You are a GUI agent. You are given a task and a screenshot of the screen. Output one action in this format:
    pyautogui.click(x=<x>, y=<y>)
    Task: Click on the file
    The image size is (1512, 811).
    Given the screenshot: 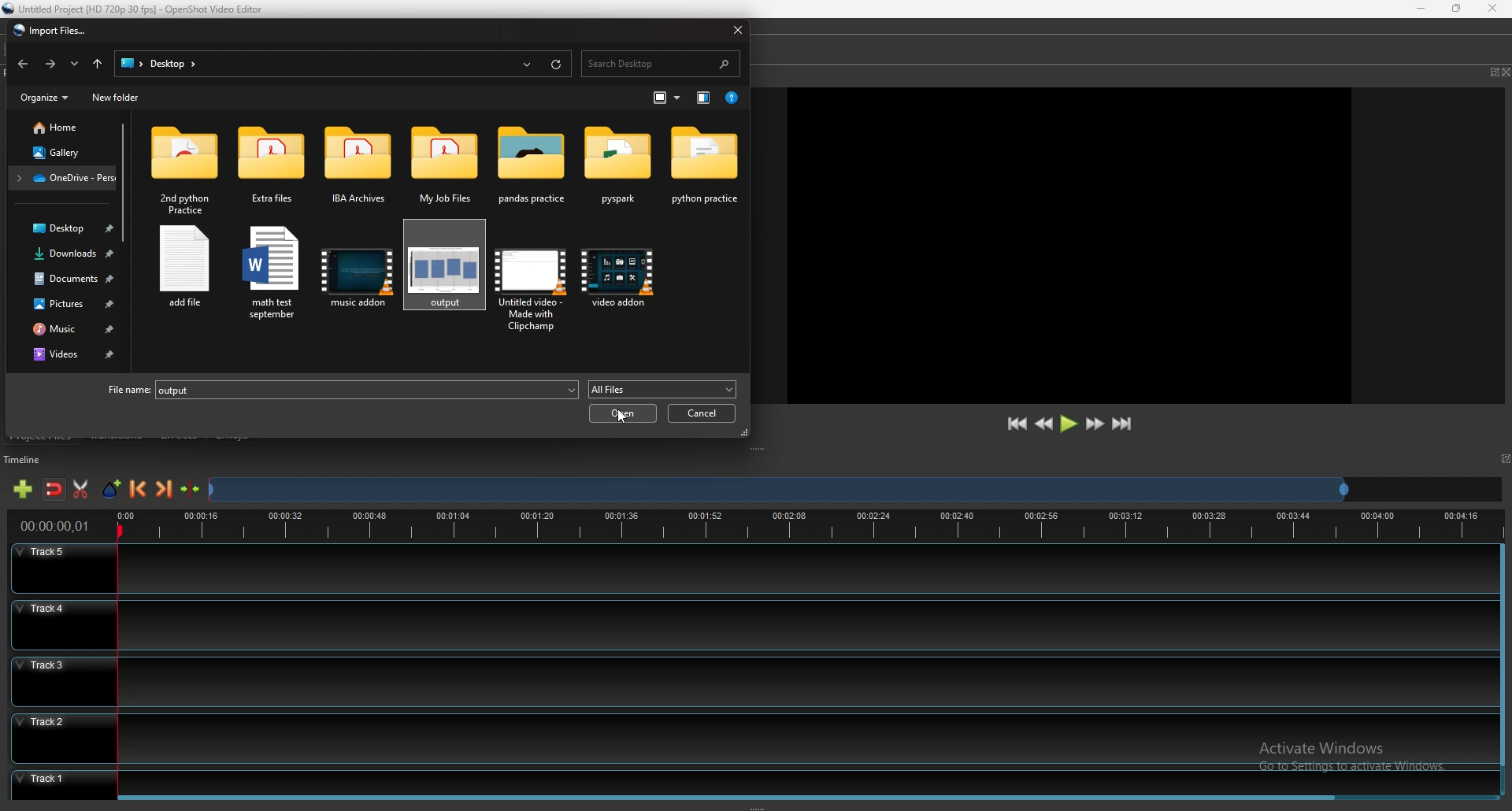 What is the action you would take?
    pyautogui.click(x=185, y=268)
    